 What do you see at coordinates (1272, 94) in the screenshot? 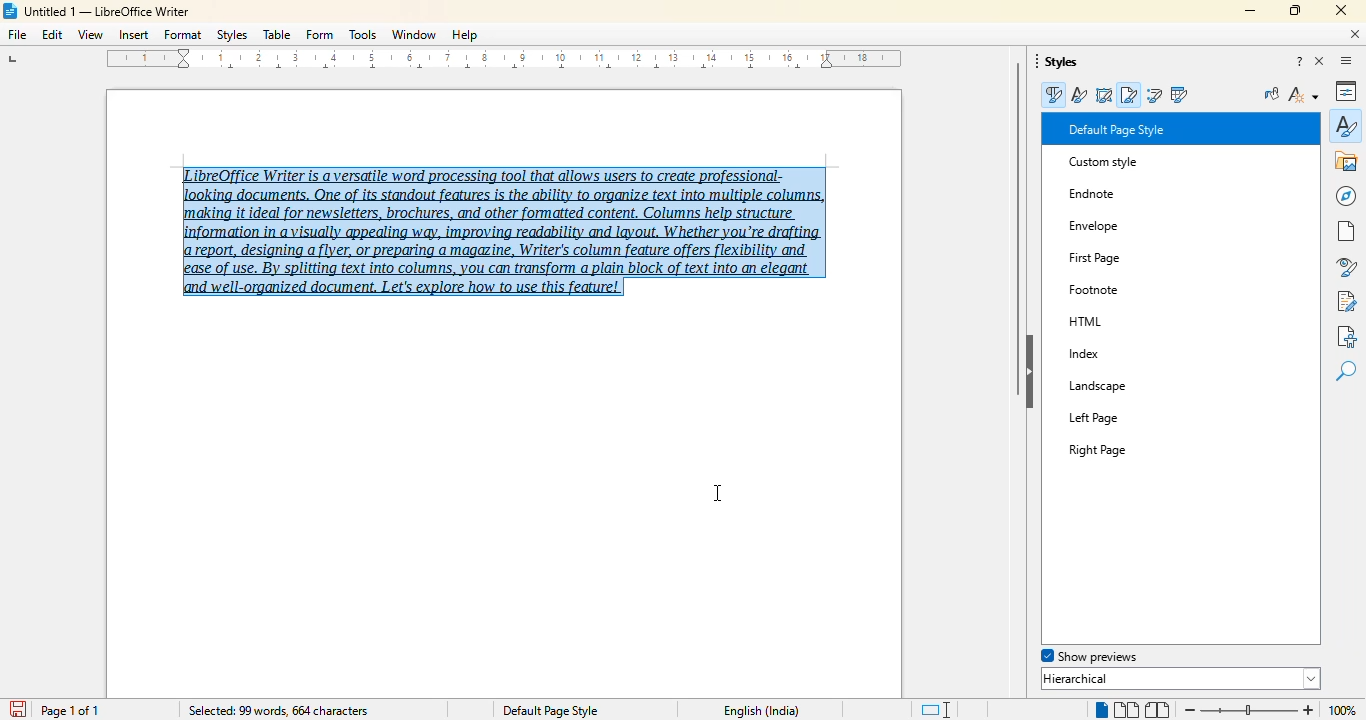
I see `fill format mode` at bounding box center [1272, 94].